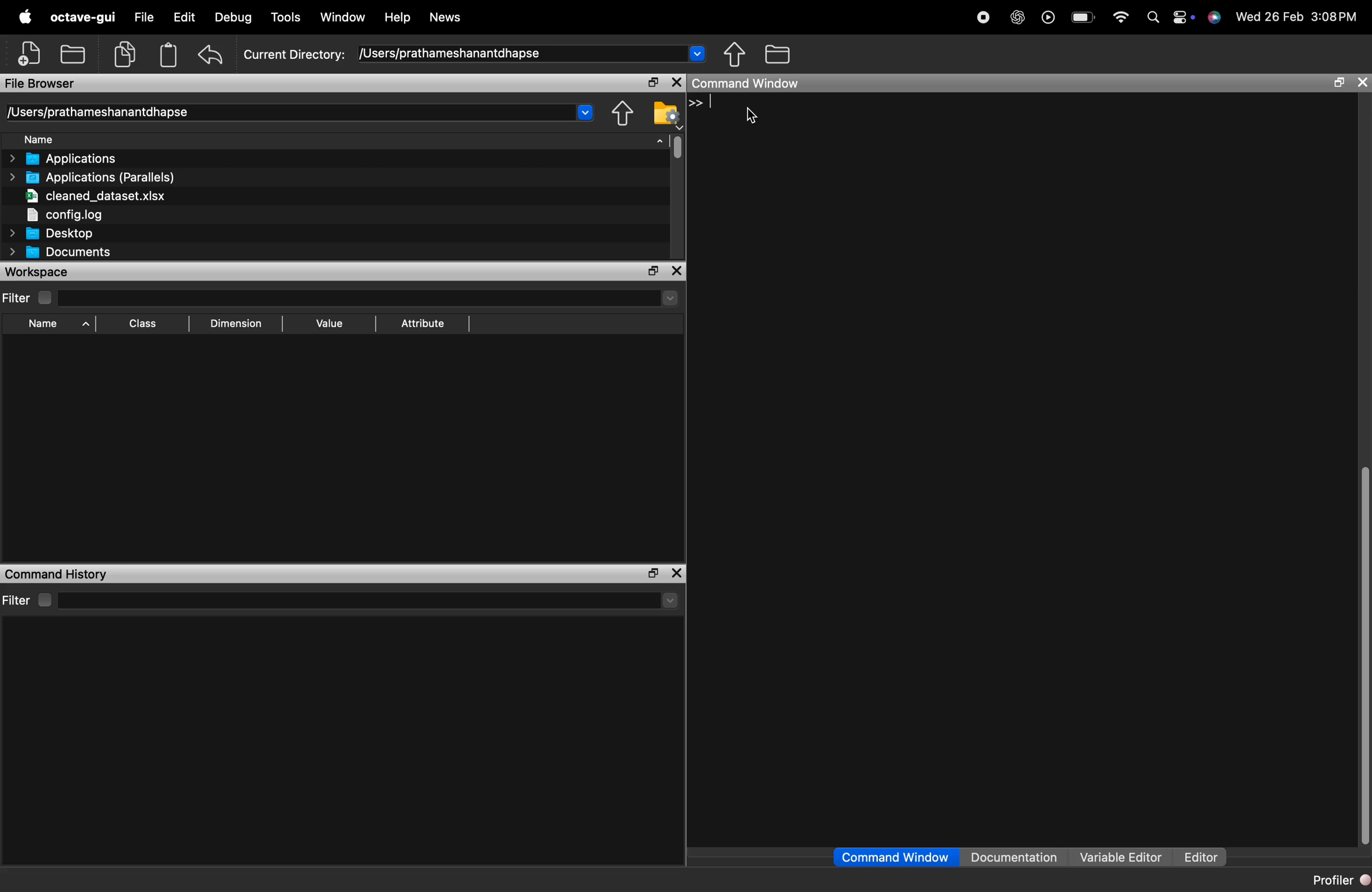  I want to click on close, so click(677, 272).